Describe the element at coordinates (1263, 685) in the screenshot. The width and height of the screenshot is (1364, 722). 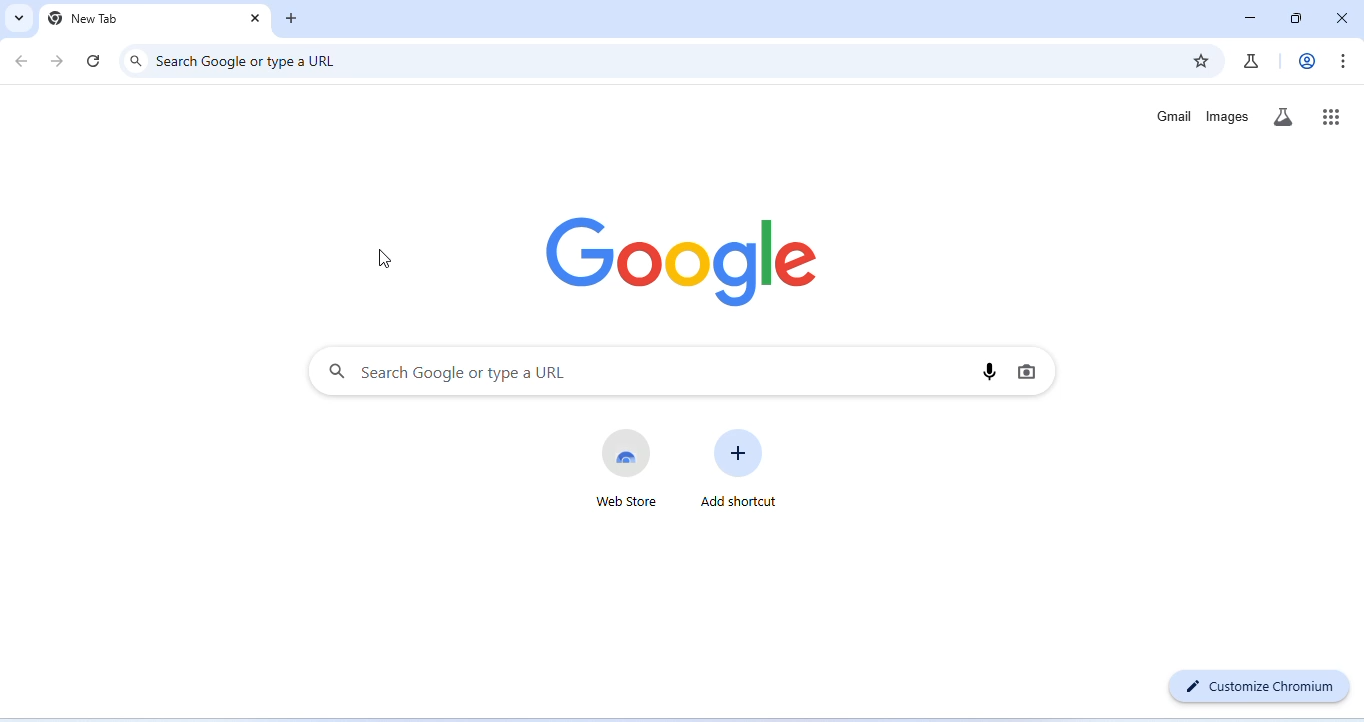
I see `customize chromium` at that location.